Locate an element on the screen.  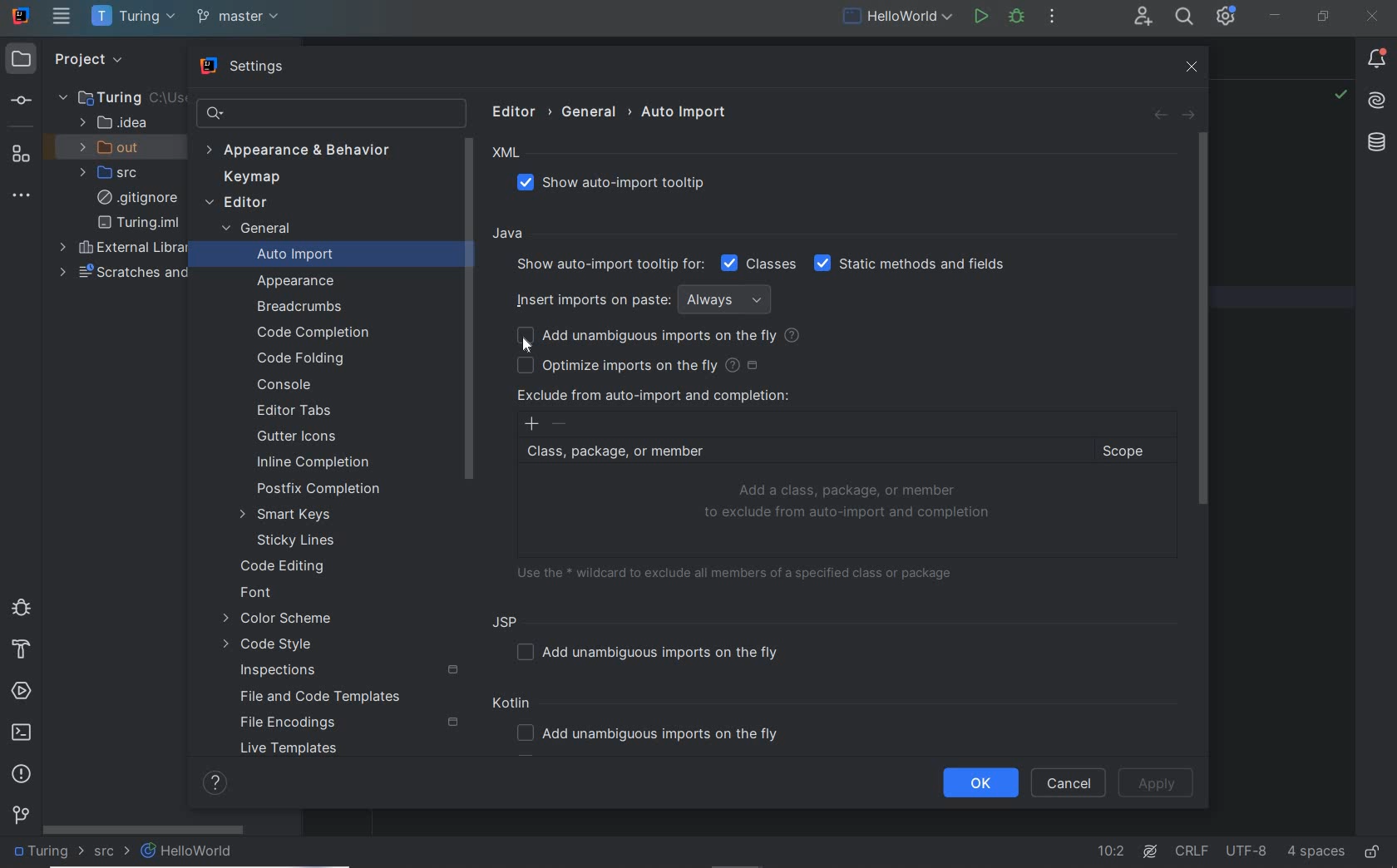
USE WILDCARD TO EXCLUDE ALL MEMBERS INFORMATION is located at coordinates (741, 571).